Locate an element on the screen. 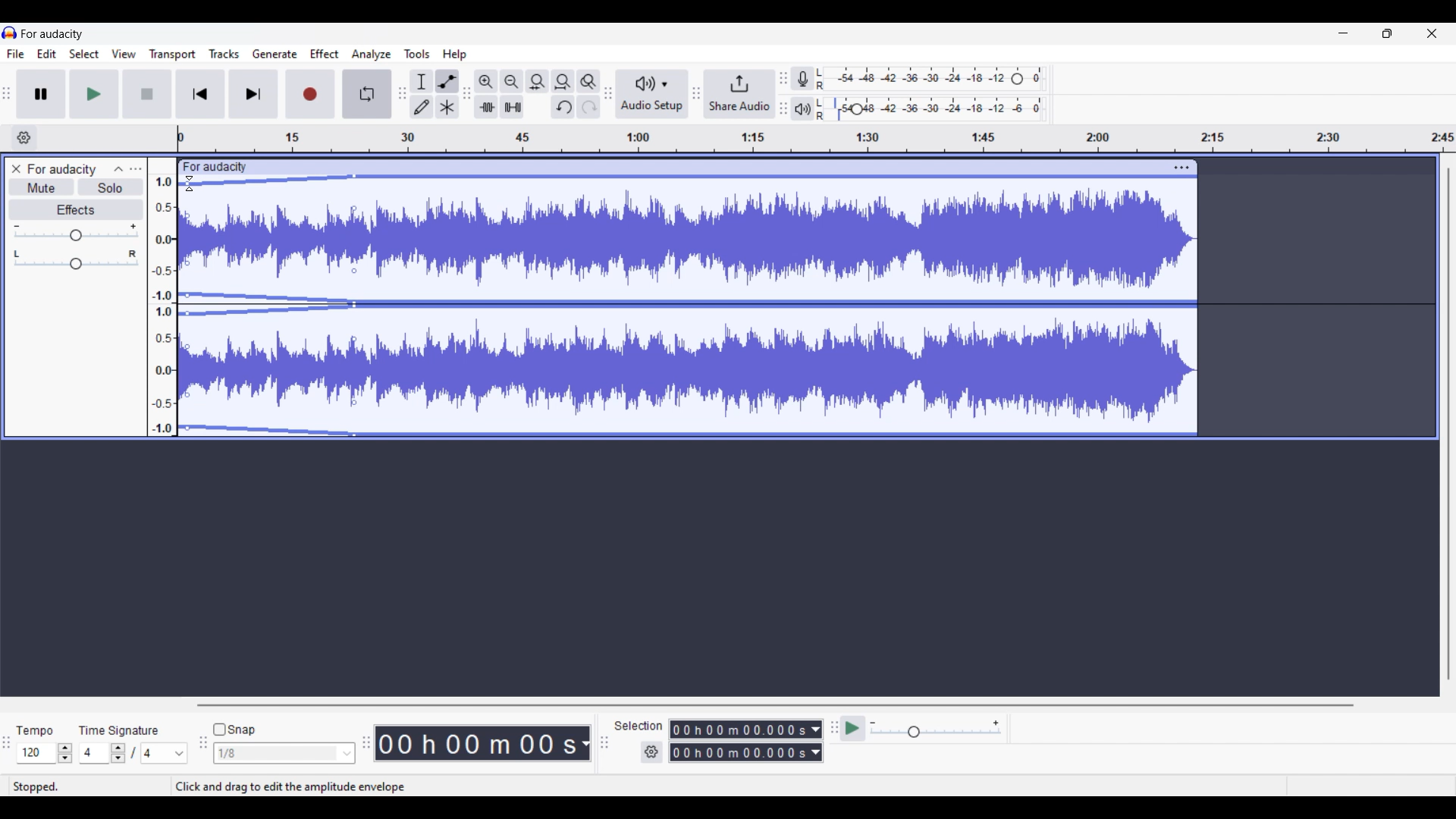 This screenshot has height=819, width=1456. Track settings is located at coordinates (1182, 168).